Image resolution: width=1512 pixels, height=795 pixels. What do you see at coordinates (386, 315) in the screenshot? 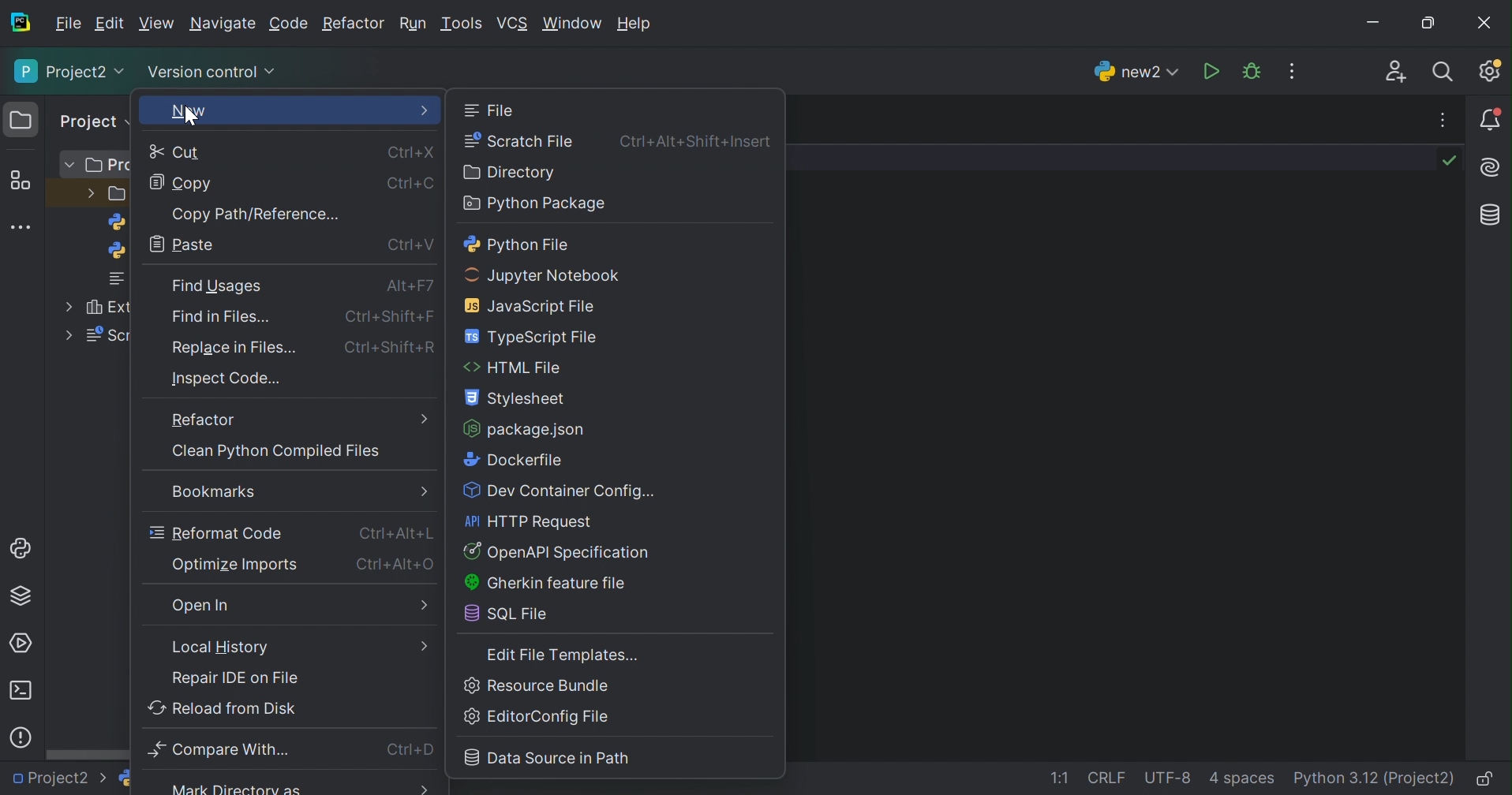
I see `Strl+Shift+F` at bounding box center [386, 315].